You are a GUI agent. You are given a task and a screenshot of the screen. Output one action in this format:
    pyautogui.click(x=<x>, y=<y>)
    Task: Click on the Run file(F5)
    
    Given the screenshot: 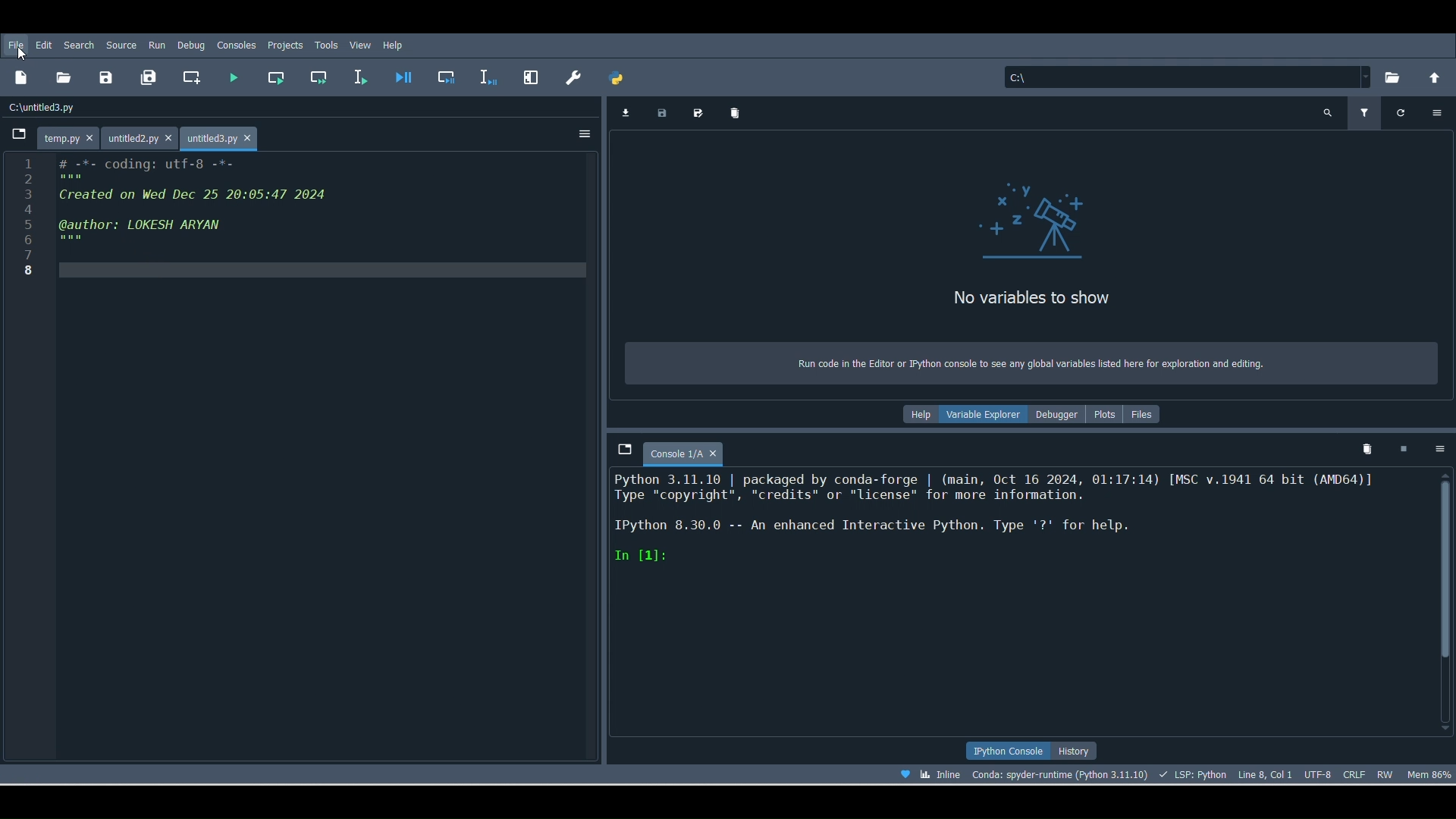 What is the action you would take?
    pyautogui.click(x=237, y=74)
    